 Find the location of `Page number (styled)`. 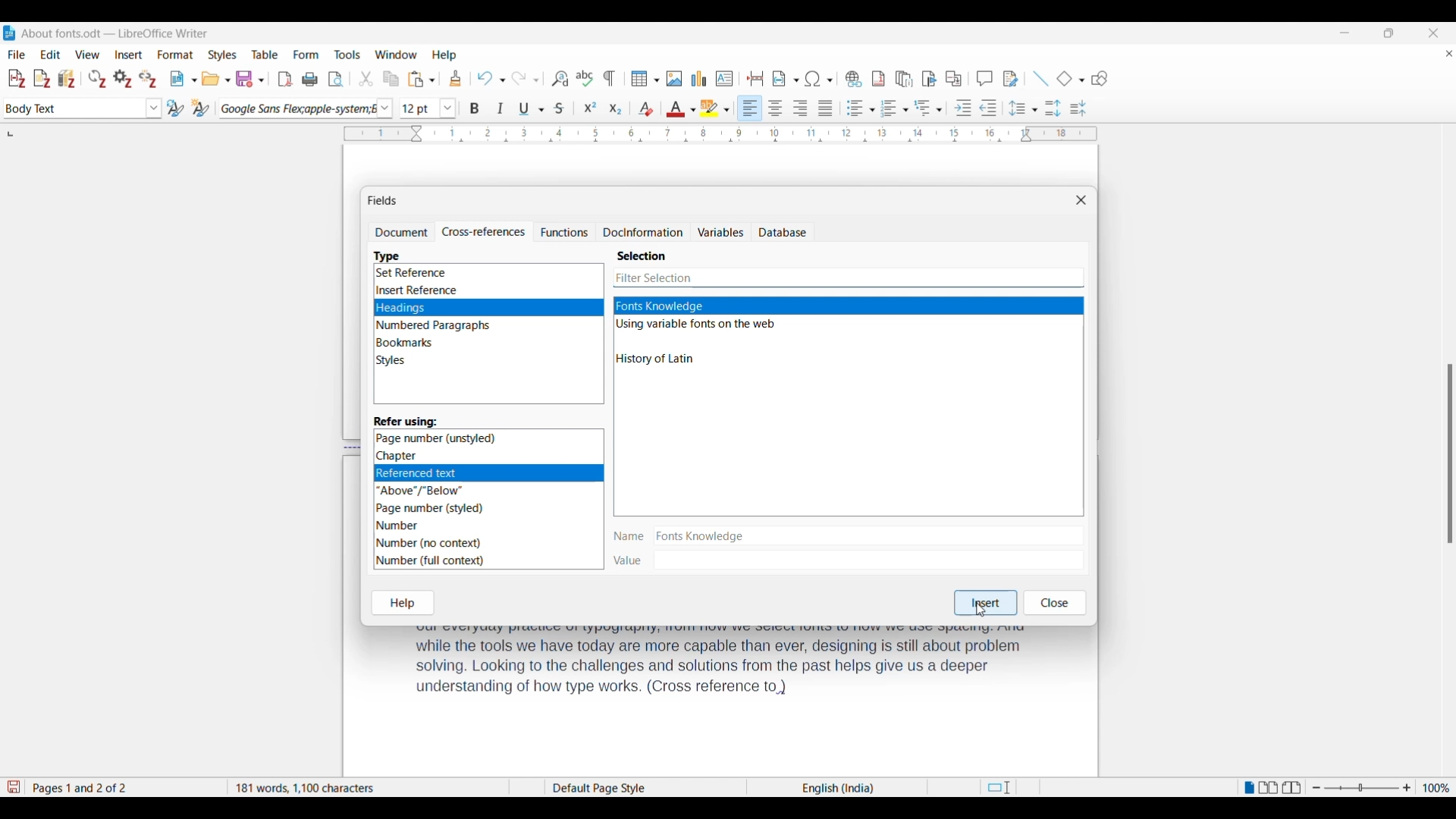

Page number (styled) is located at coordinates (431, 507).